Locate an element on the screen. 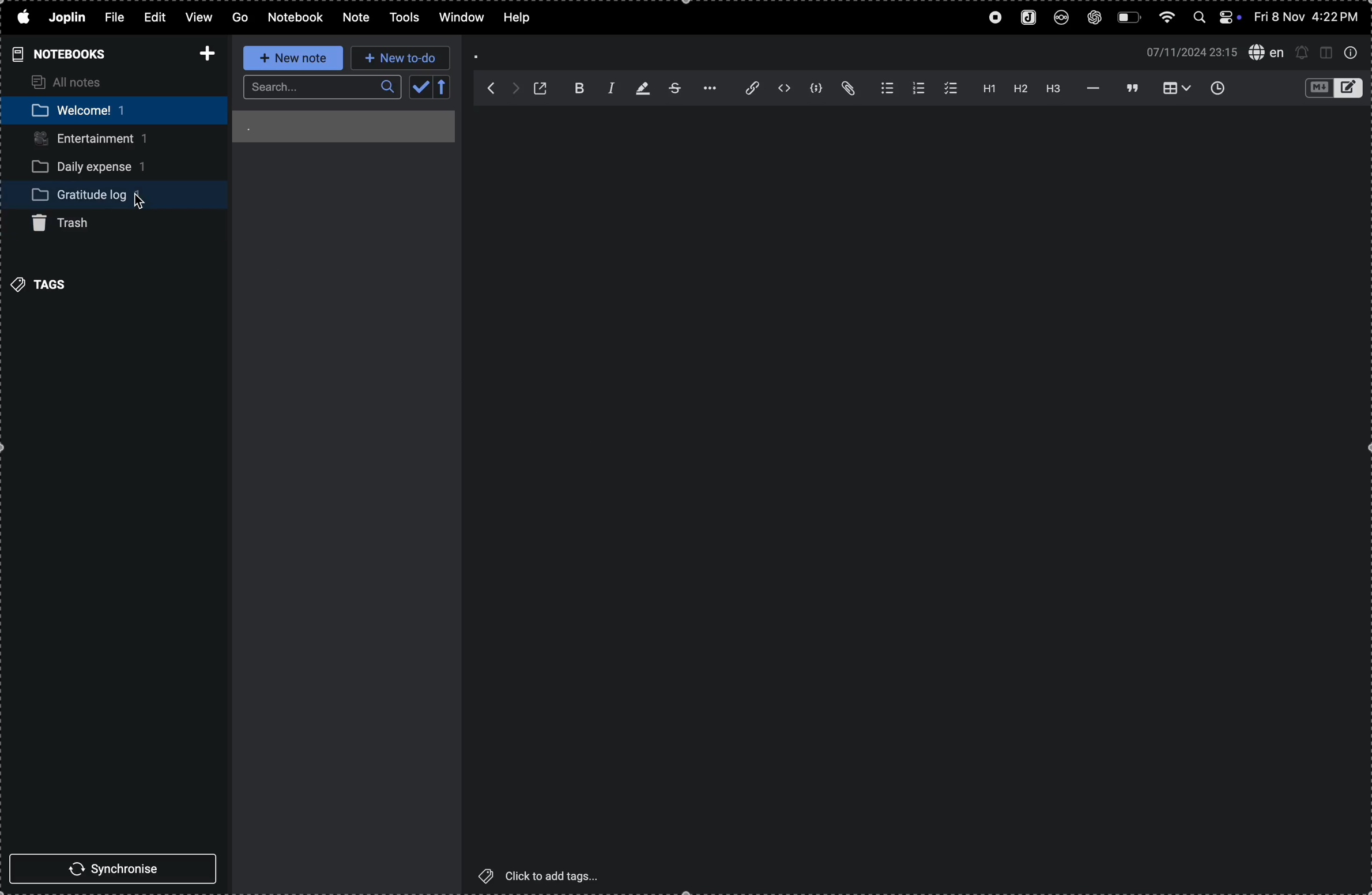 The height and width of the screenshot is (895, 1372). edit is located at coordinates (157, 17).